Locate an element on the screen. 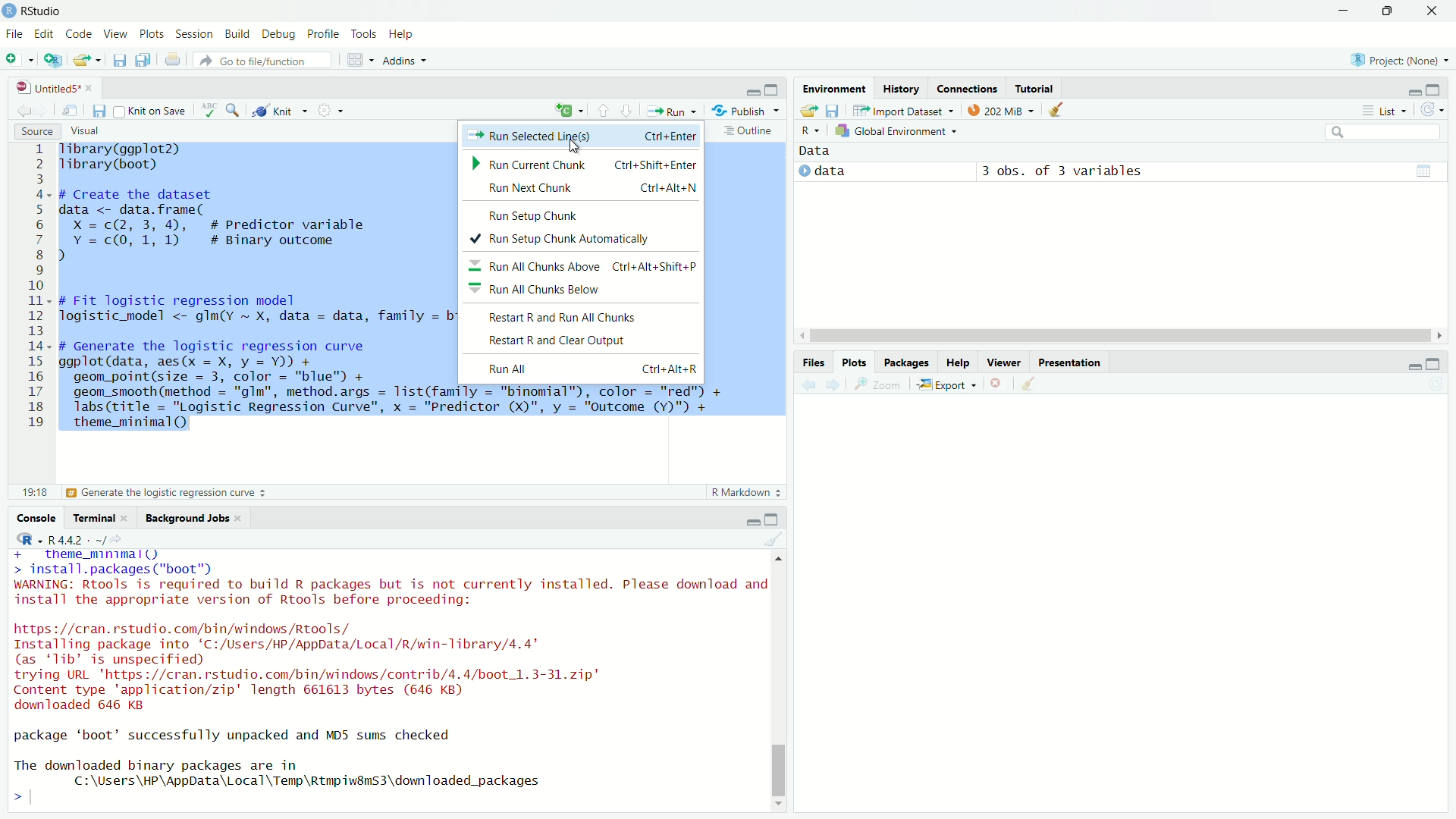  Help is located at coordinates (402, 33).